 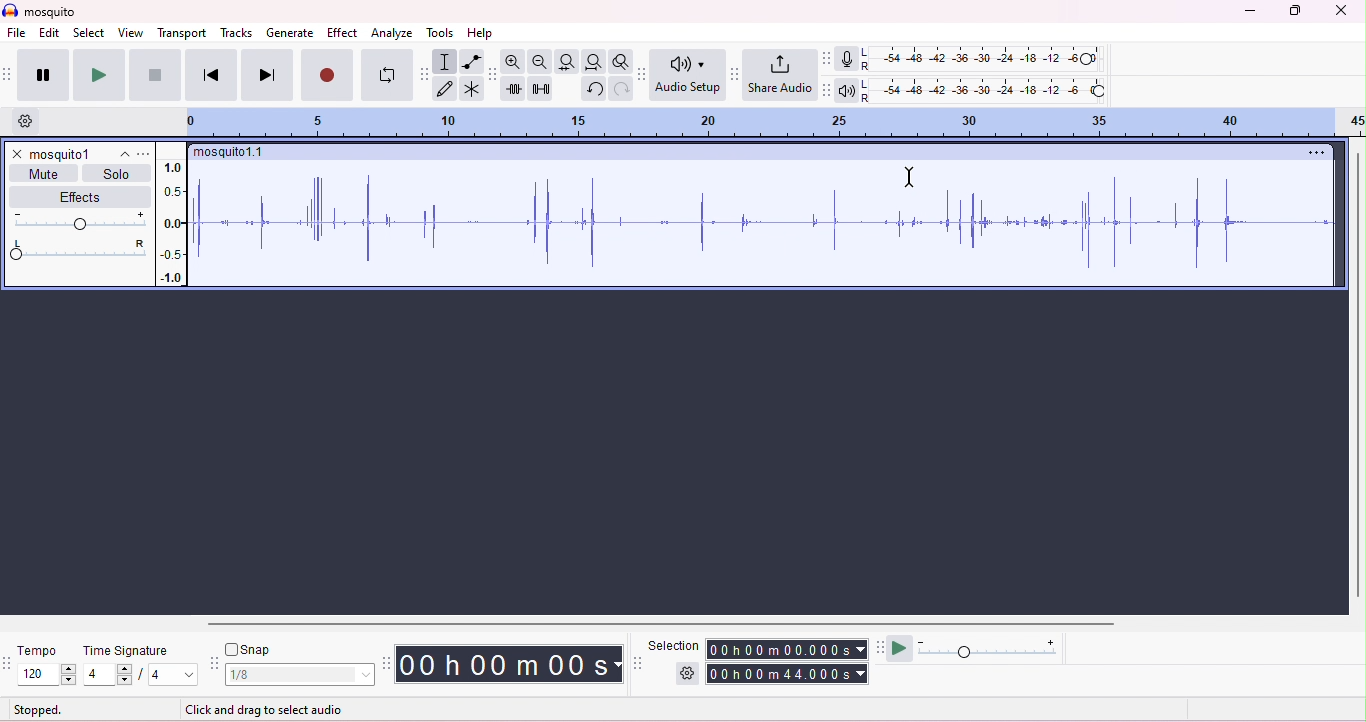 What do you see at coordinates (46, 173) in the screenshot?
I see `mute` at bounding box center [46, 173].